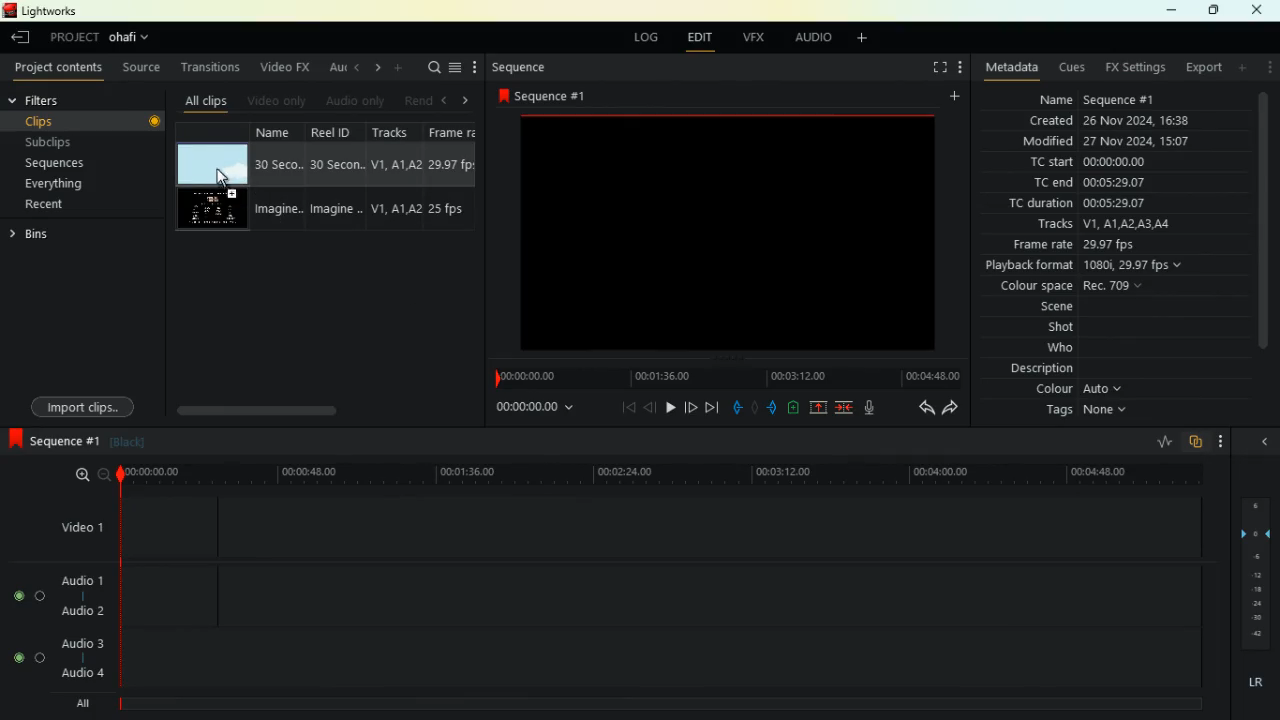 The image size is (1280, 720). Describe the element at coordinates (278, 211) in the screenshot. I see `imagine..` at that location.